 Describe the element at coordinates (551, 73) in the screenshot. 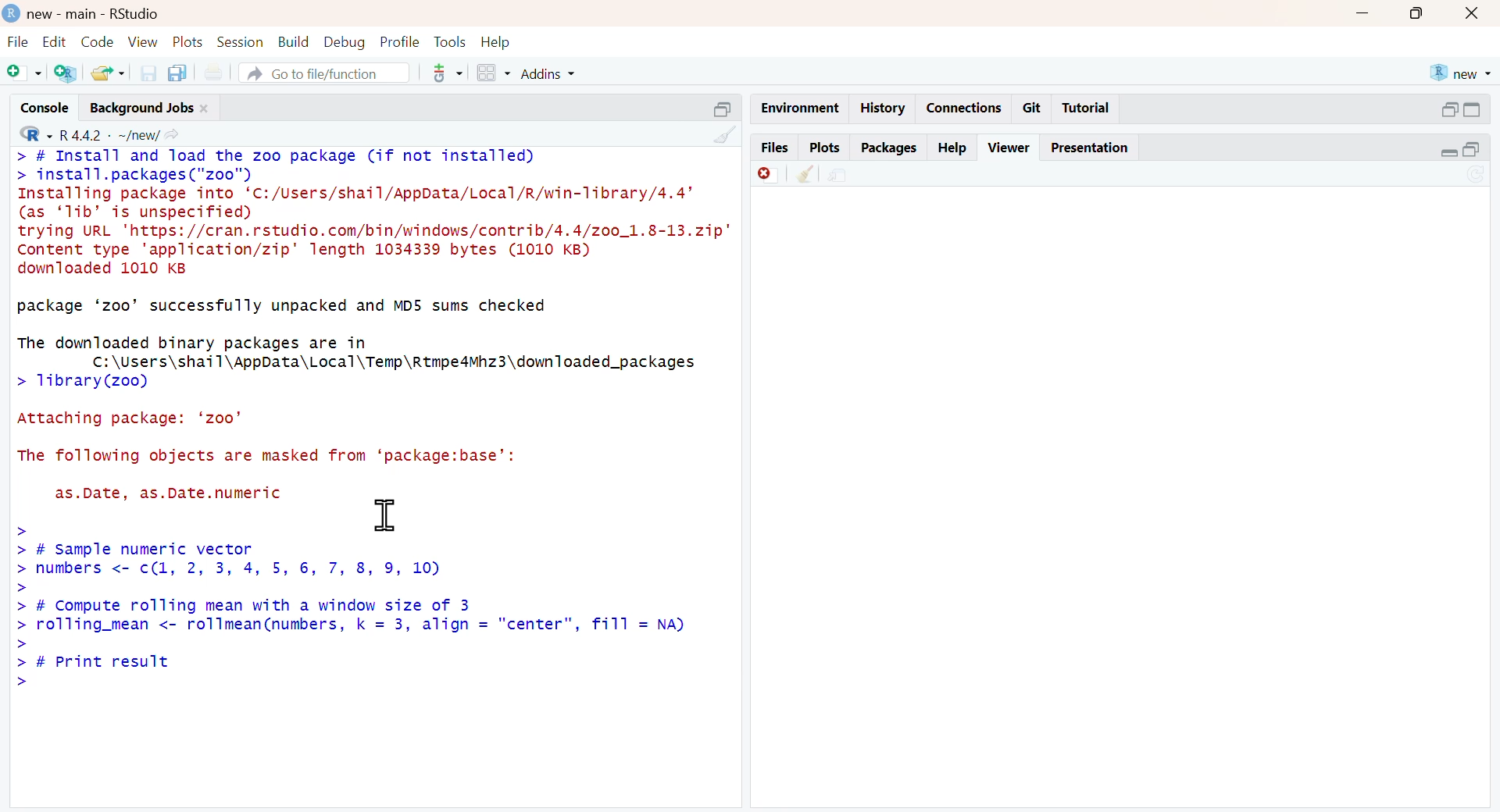

I see `addins` at that location.